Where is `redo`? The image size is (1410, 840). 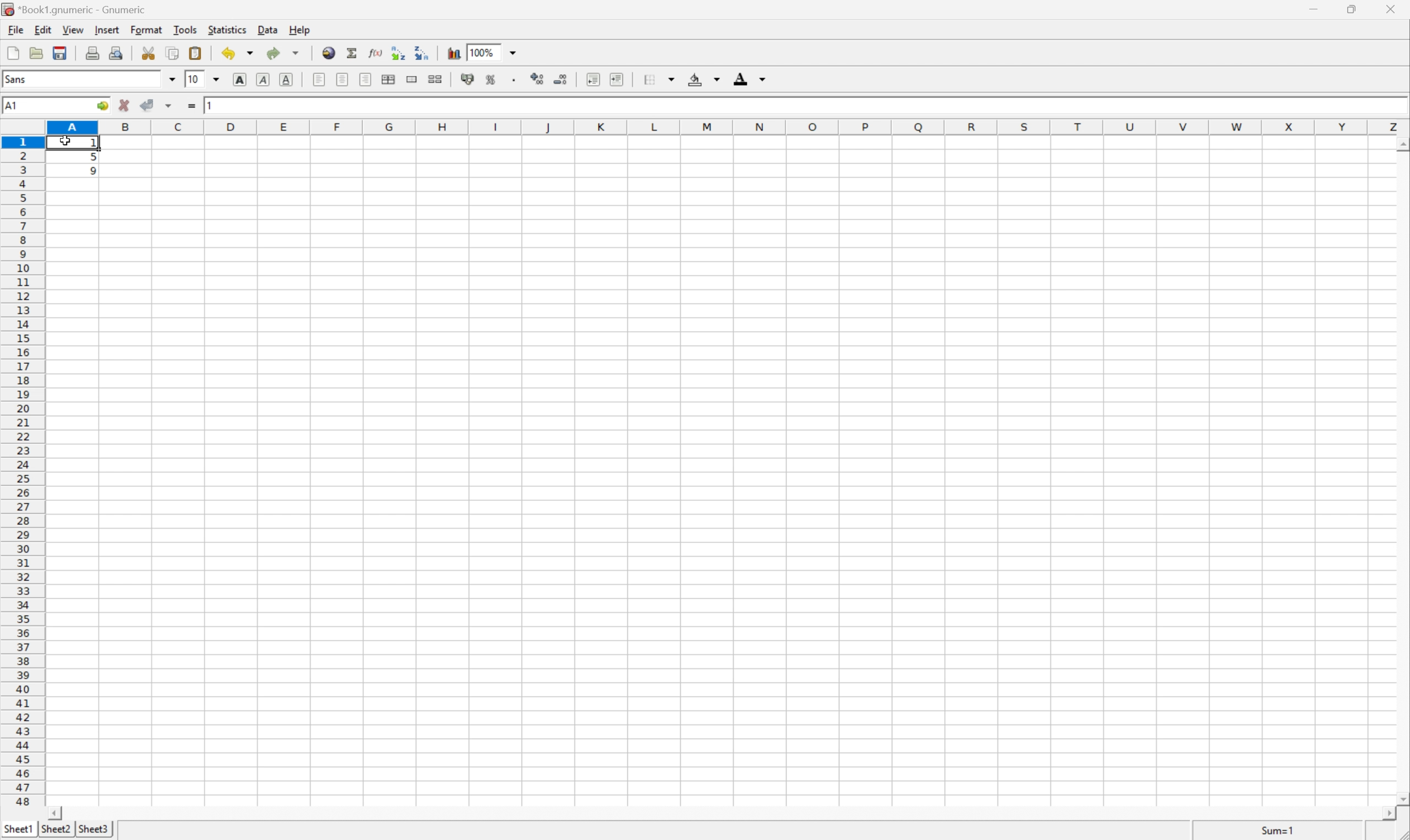 redo is located at coordinates (283, 53).